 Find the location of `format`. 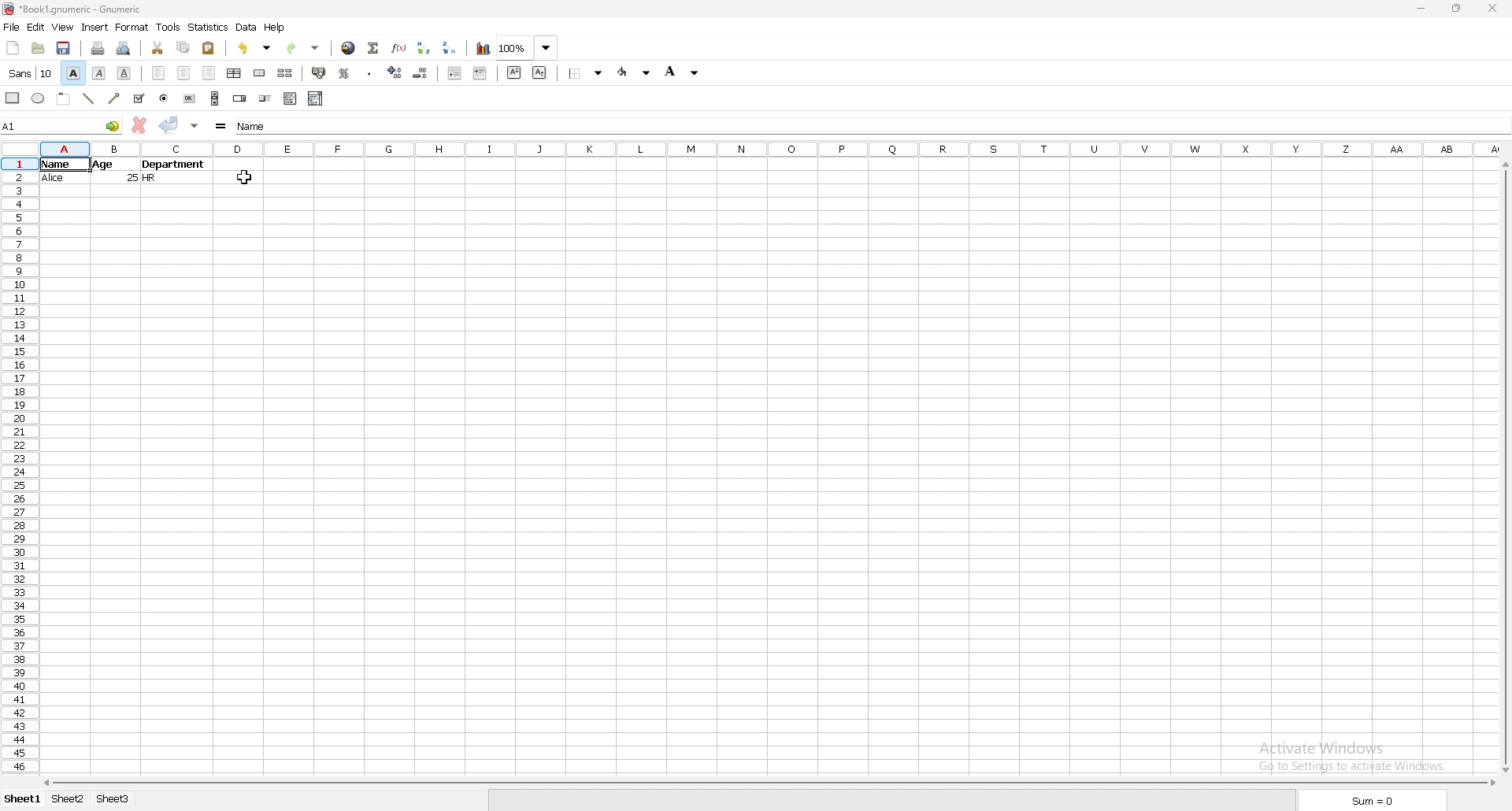

format is located at coordinates (132, 27).